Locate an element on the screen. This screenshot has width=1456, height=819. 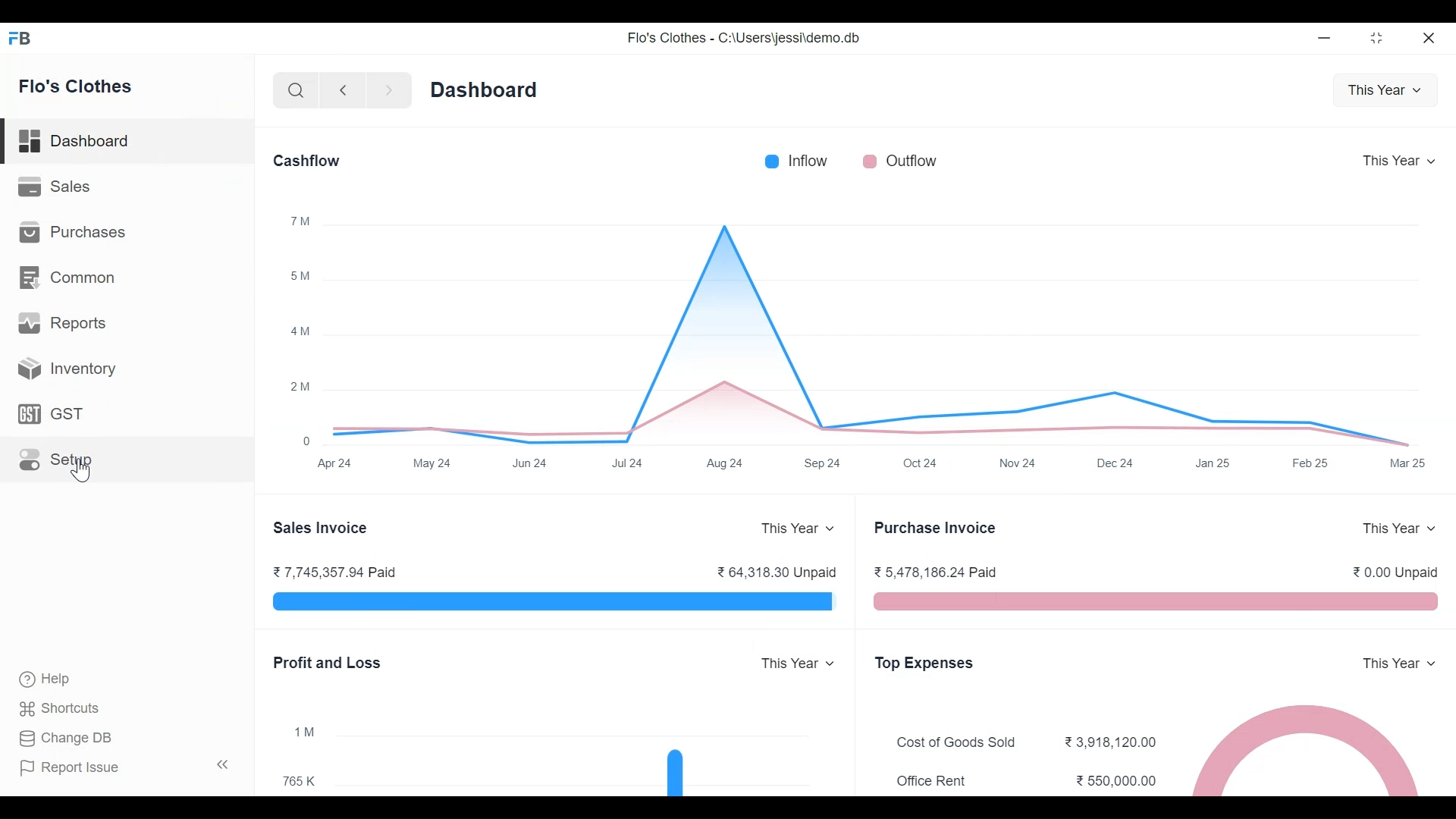
Help is located at coordinates (61, 680).